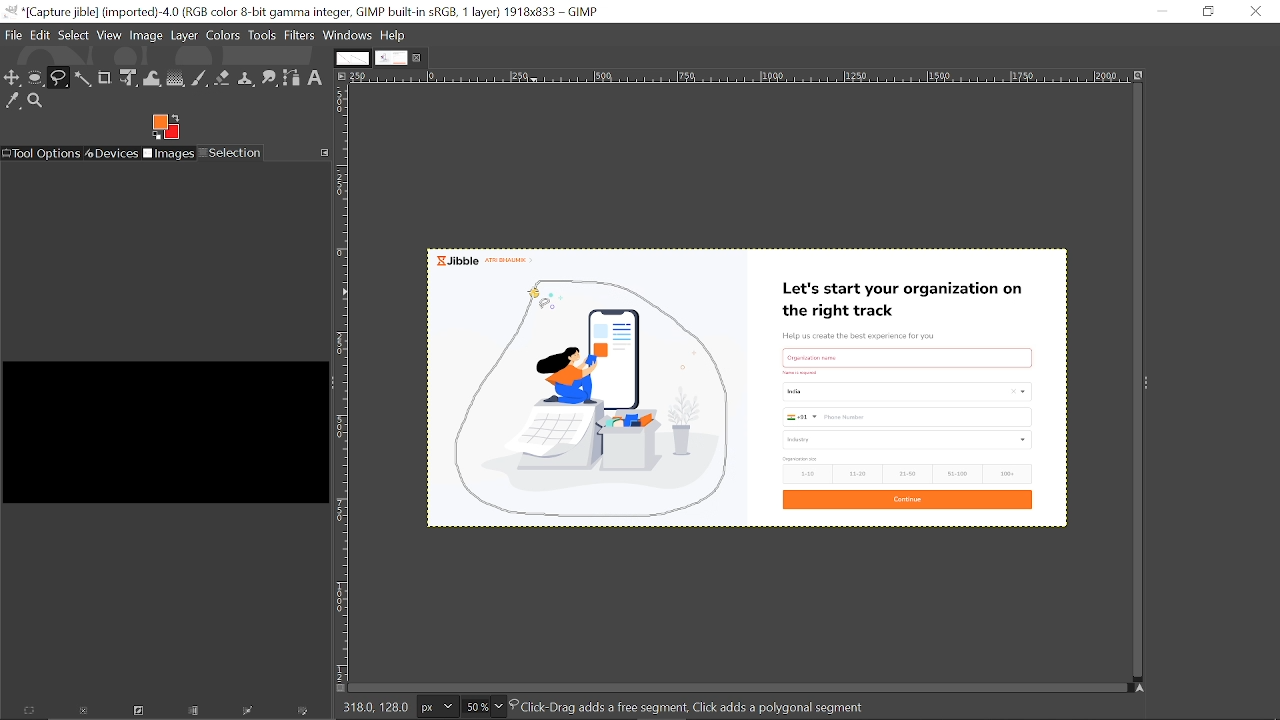  What do you see at coordinates (195, 712) in the screenshot?
I see `Save the selection to a channel` at bounding box center [195, 712].